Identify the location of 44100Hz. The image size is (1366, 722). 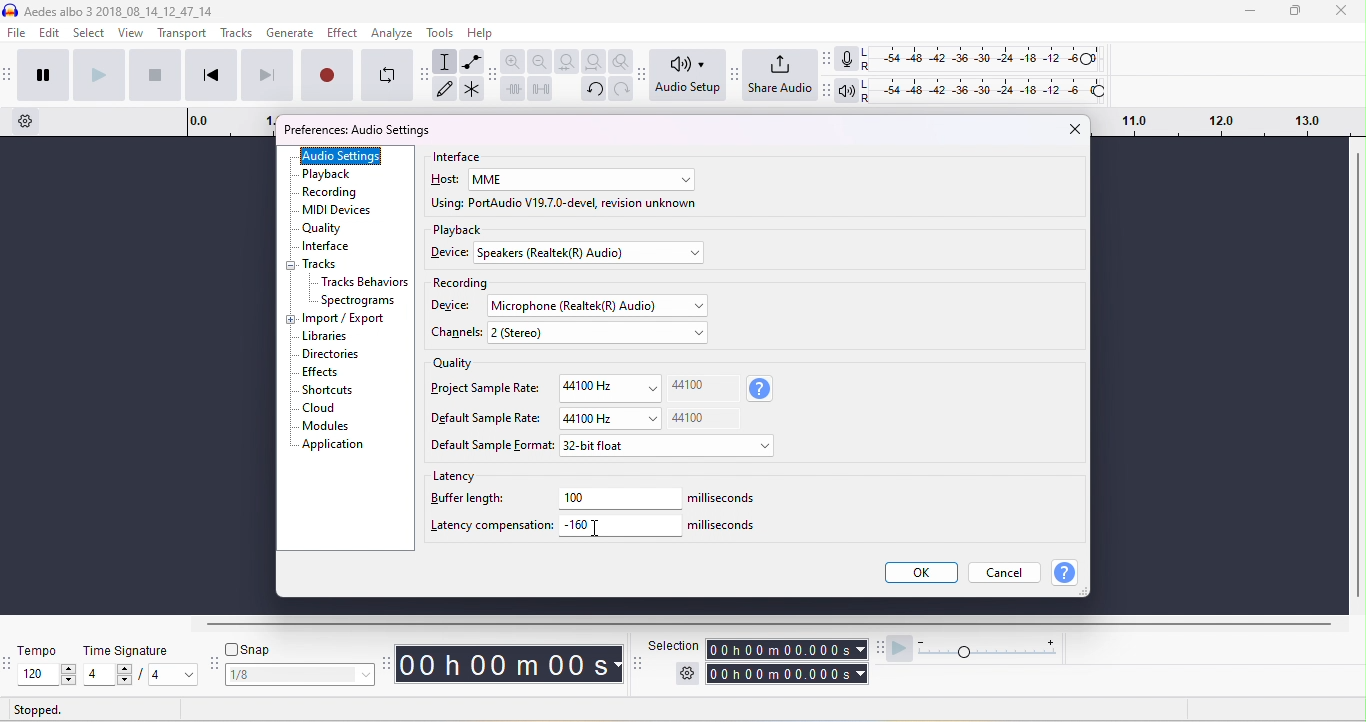
(608, 388).